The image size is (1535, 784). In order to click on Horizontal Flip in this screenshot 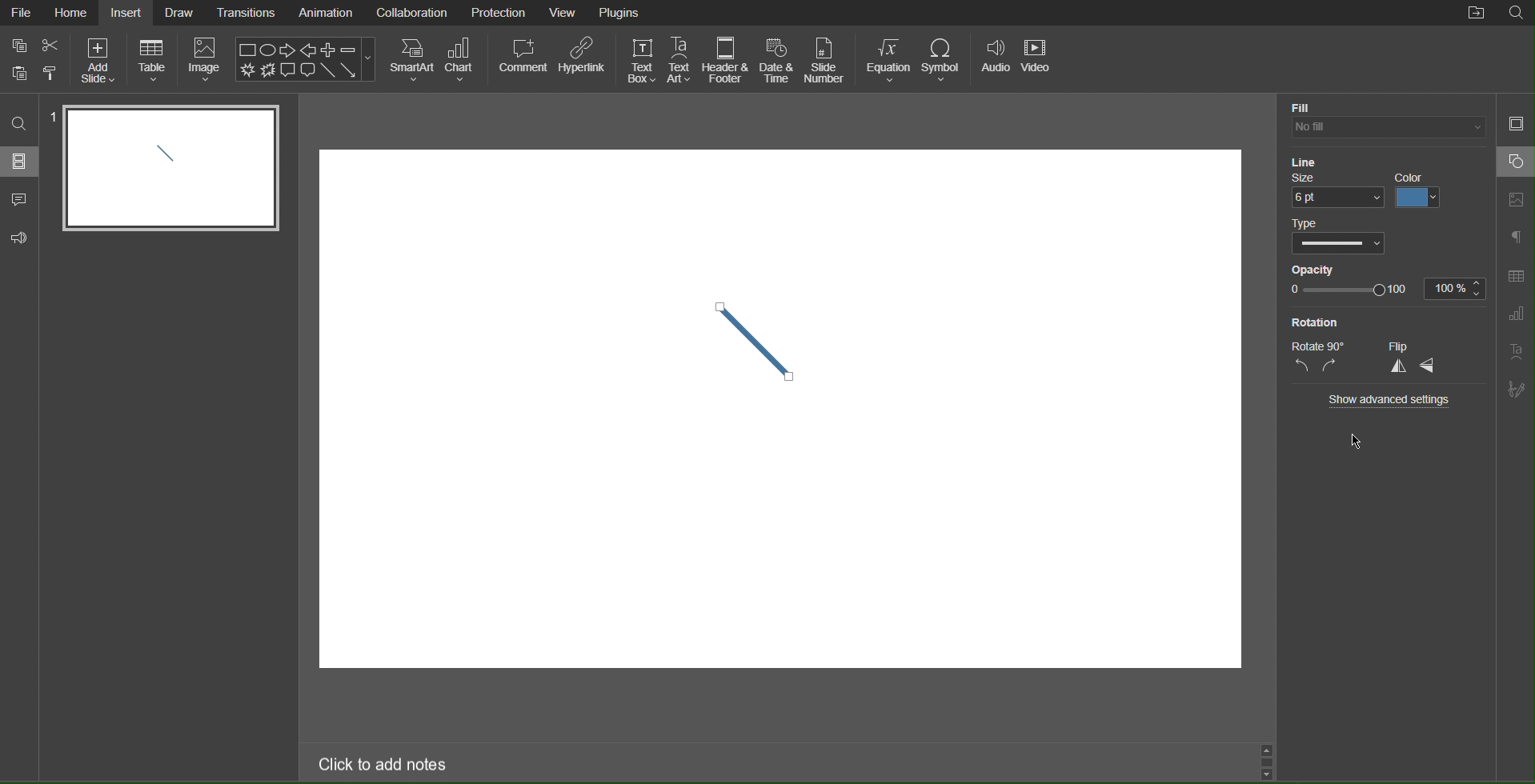, I will do `click(1433, 368)`.